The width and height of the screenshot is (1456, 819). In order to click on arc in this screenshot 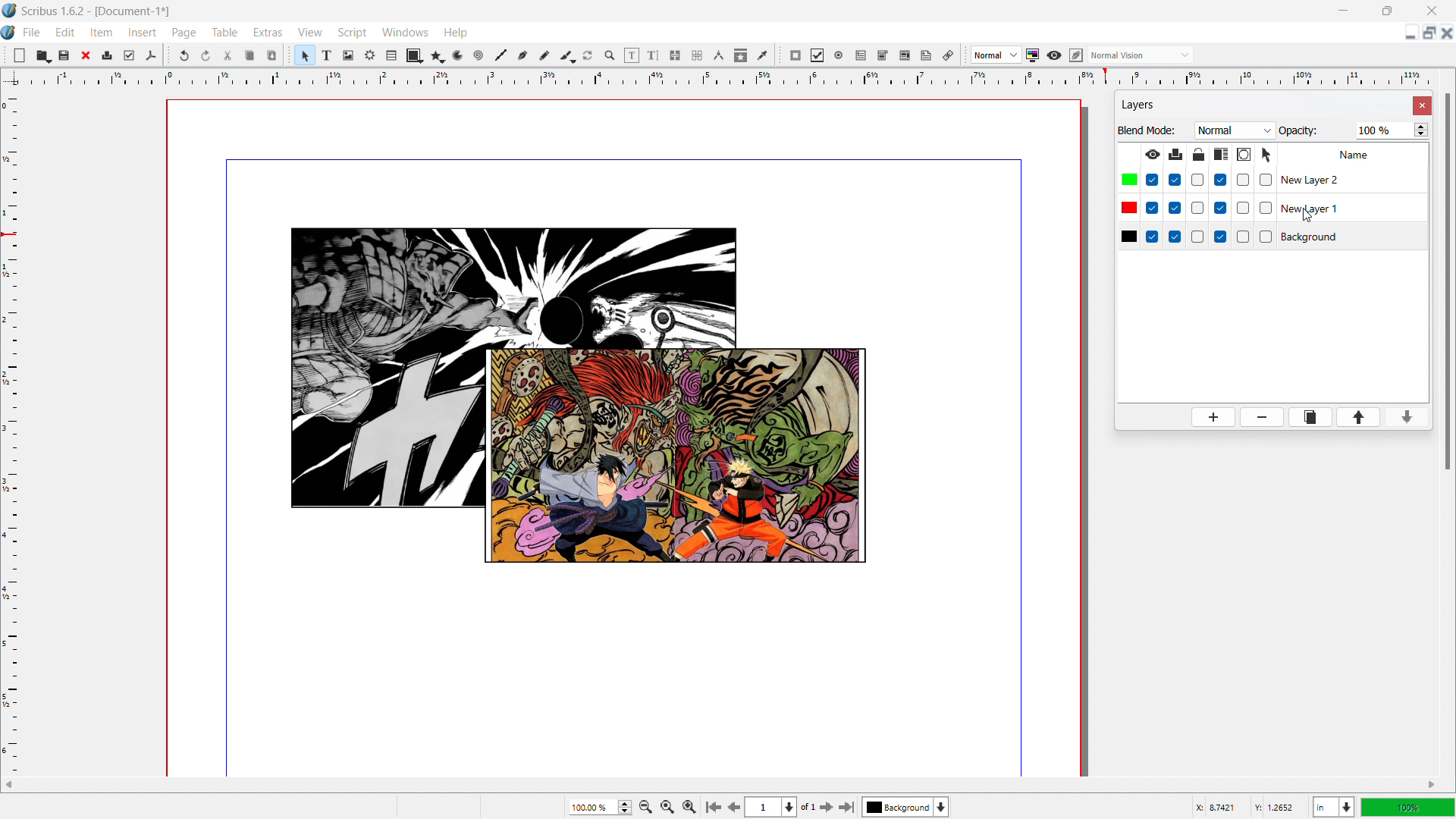, I will do `click(459, 55)`.